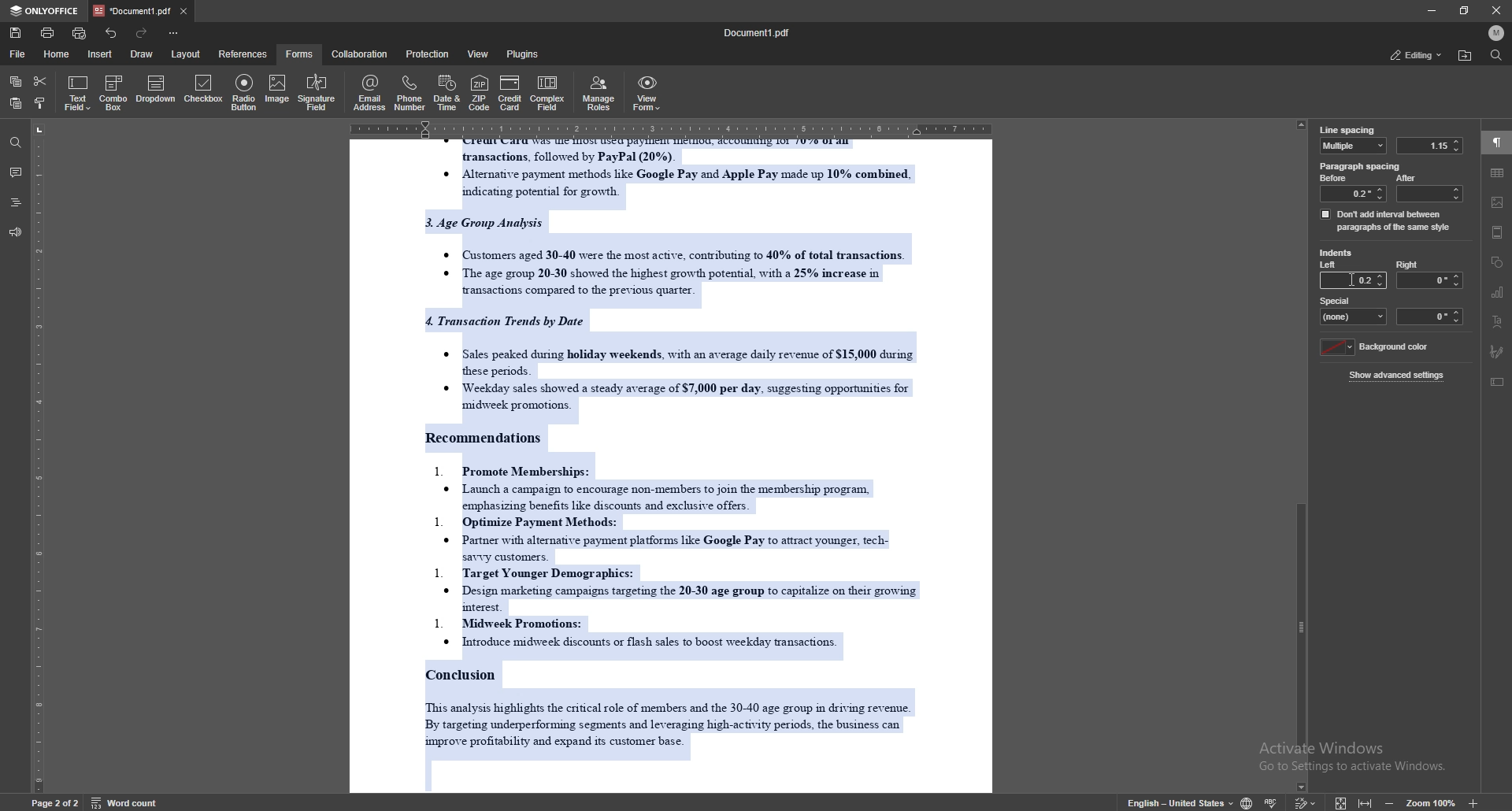 The width and height of the screenshot is (1512, 811). I want to click on status, so click(1415, 54).